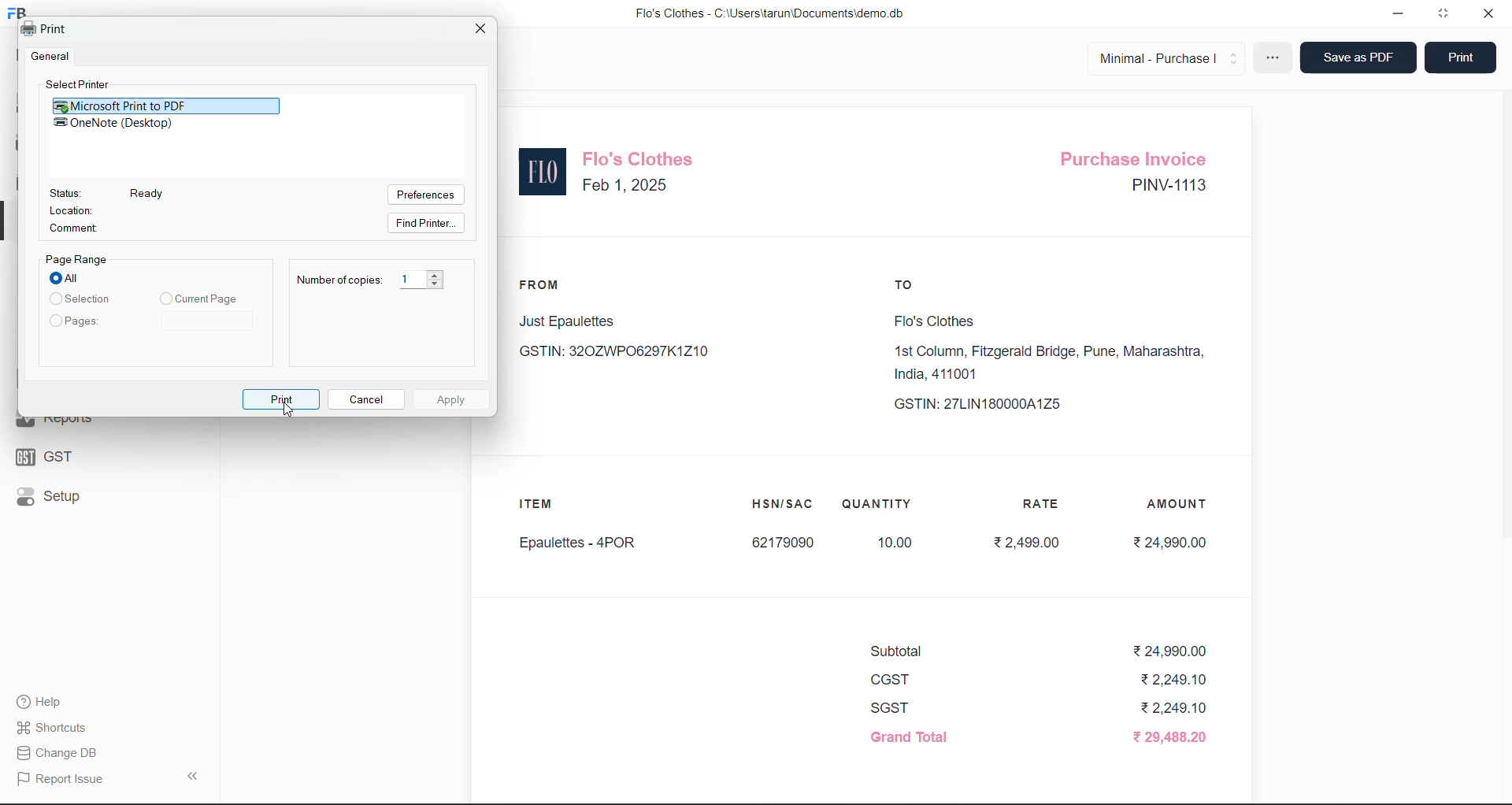 The image size is (1512, 805). I want to click on Epaulettes - 4POR, so click(577, 543).